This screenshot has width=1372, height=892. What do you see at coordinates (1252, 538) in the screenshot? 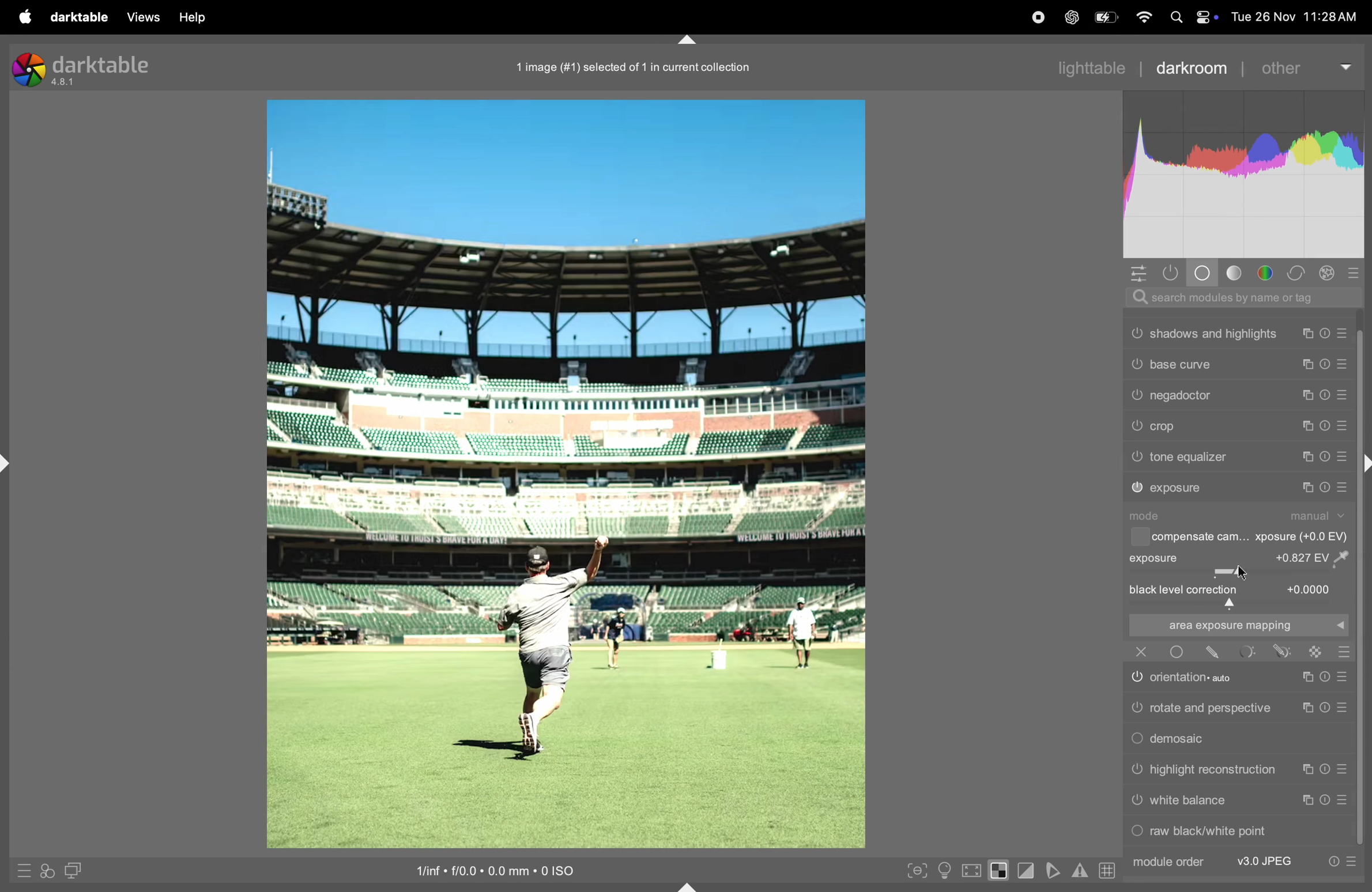
I see `compensate cam... xposure (+0.0 EV)` at bounding box center [1252, 538].